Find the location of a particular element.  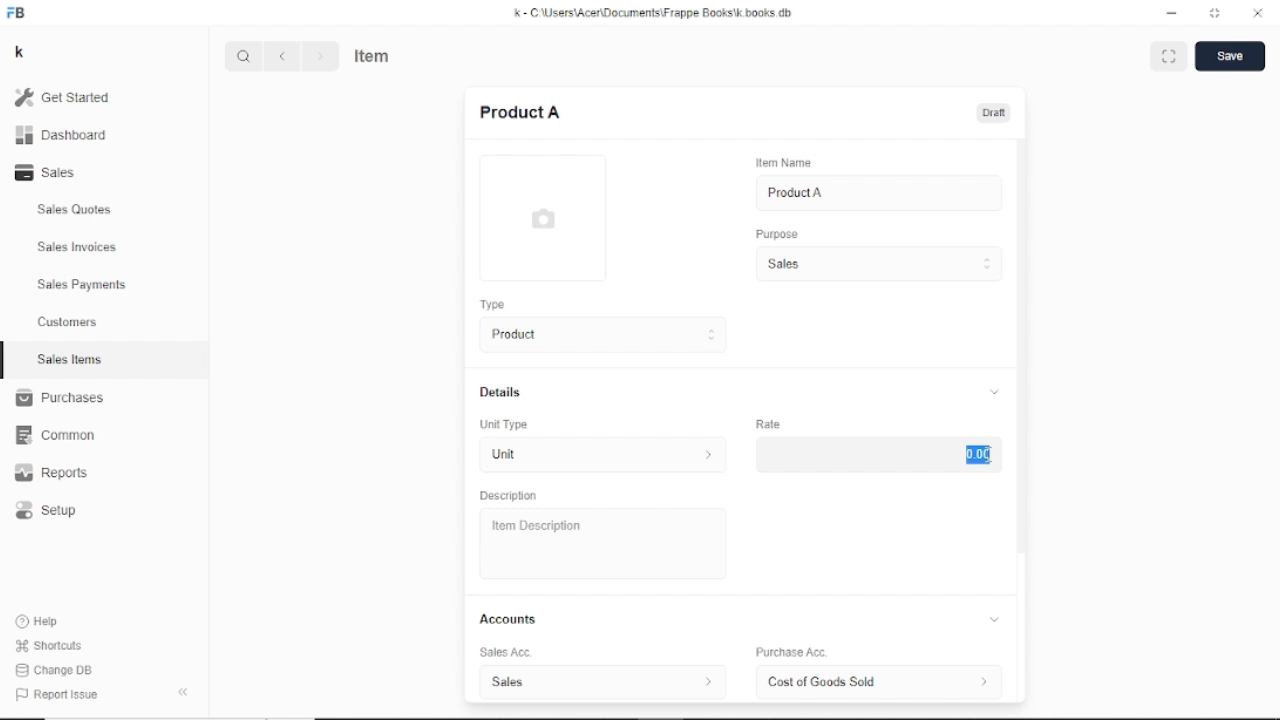

Shortcuts is located at coordinates (51, 647).